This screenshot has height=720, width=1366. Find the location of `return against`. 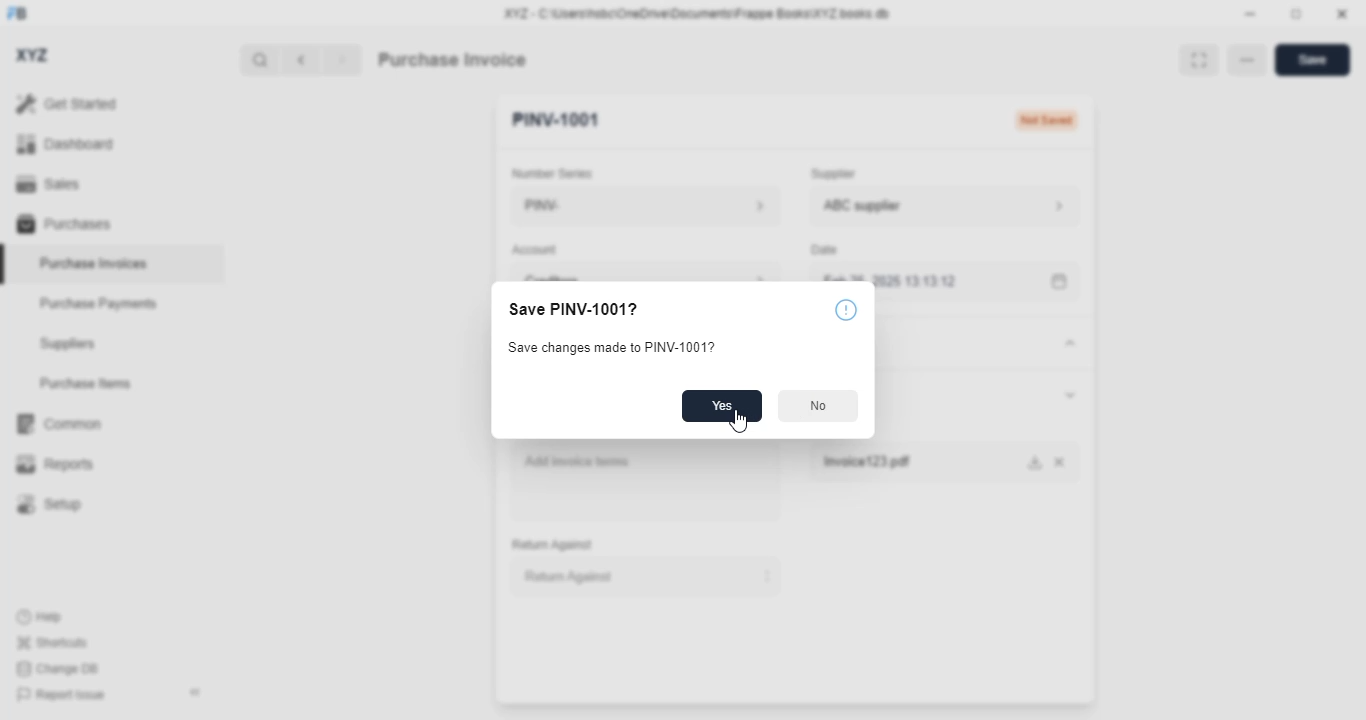

return against is located at coordinates (551, 545).